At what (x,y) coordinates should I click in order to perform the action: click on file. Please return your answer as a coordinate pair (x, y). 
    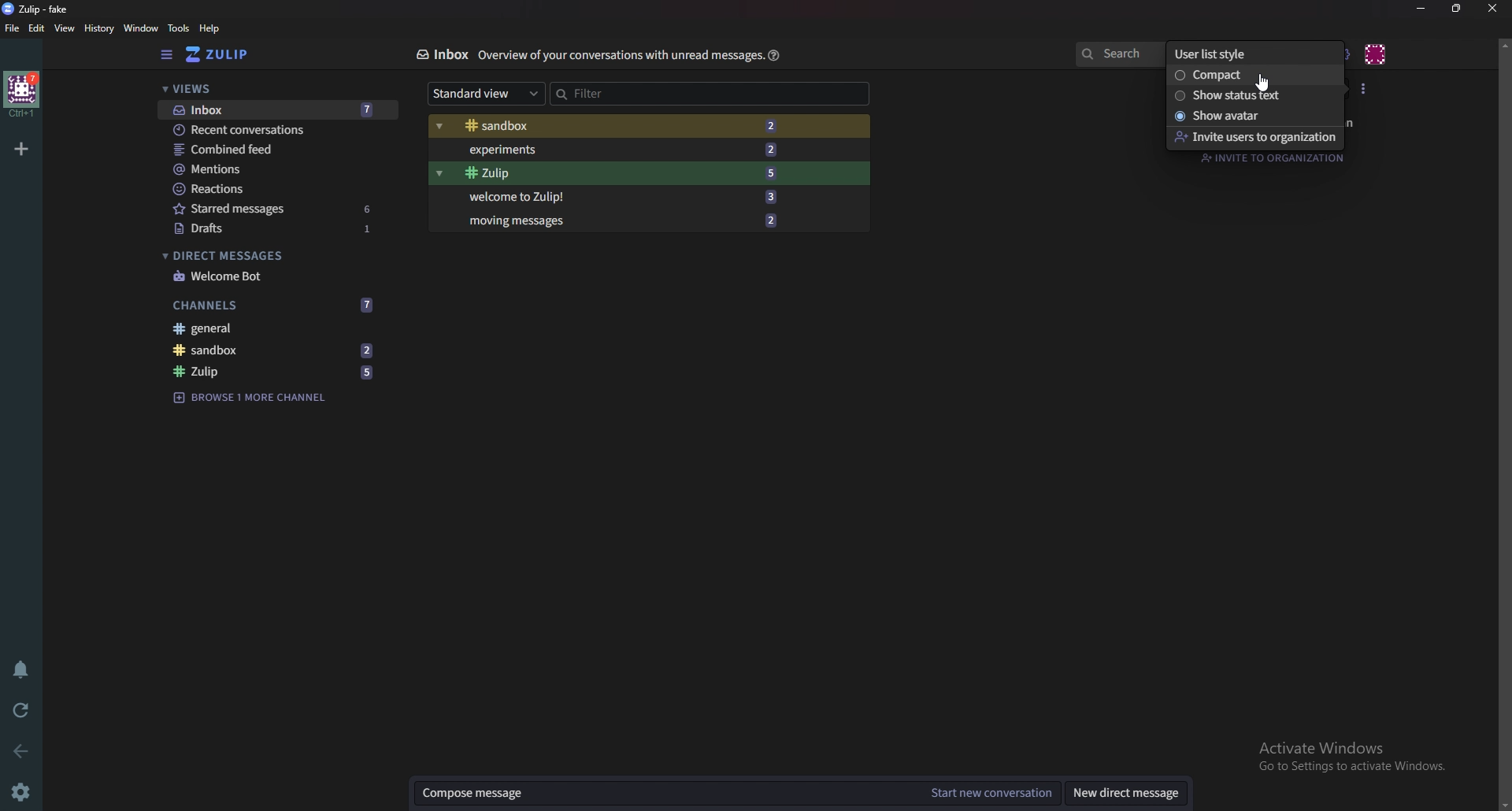
    Looking at the image, I should click on (13, 28).